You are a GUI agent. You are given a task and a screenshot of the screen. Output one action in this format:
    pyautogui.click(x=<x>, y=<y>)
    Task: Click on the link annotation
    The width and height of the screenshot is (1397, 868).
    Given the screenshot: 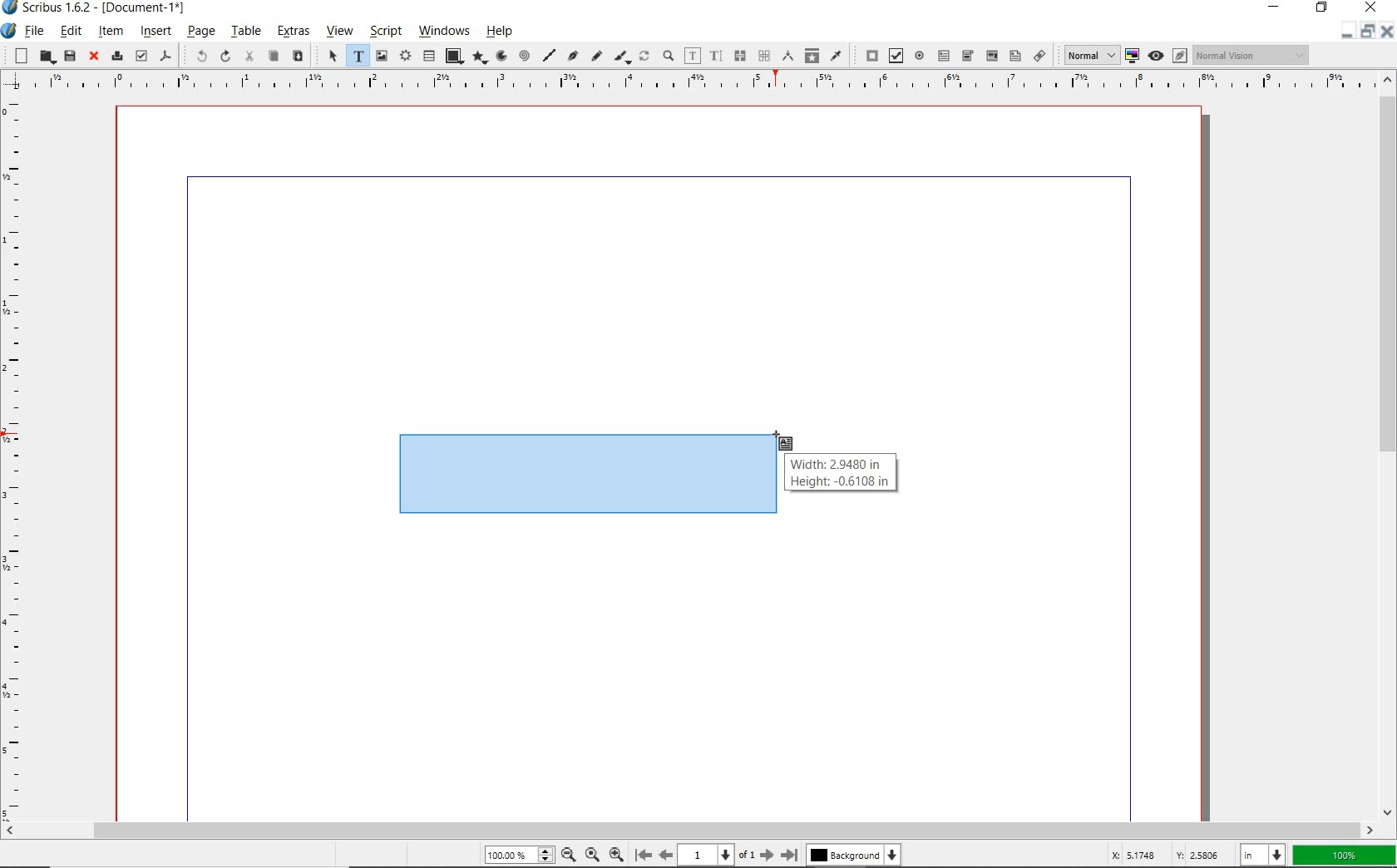 What is the action you would take?
    pyautogui.click(x=1040, y=55)
    